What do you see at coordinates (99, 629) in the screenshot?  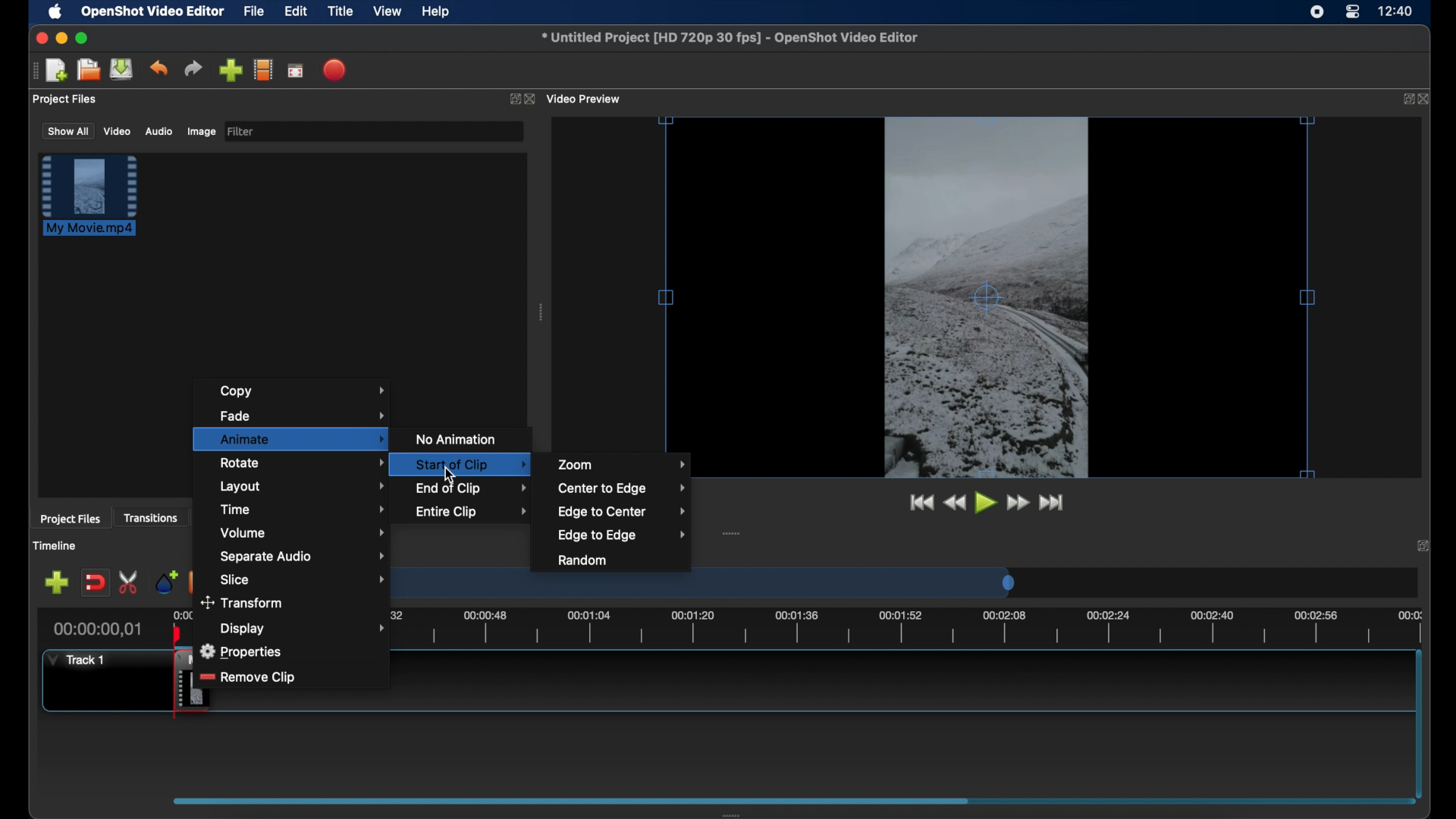 I see `current time indicator` at bounding box center [99, 629].